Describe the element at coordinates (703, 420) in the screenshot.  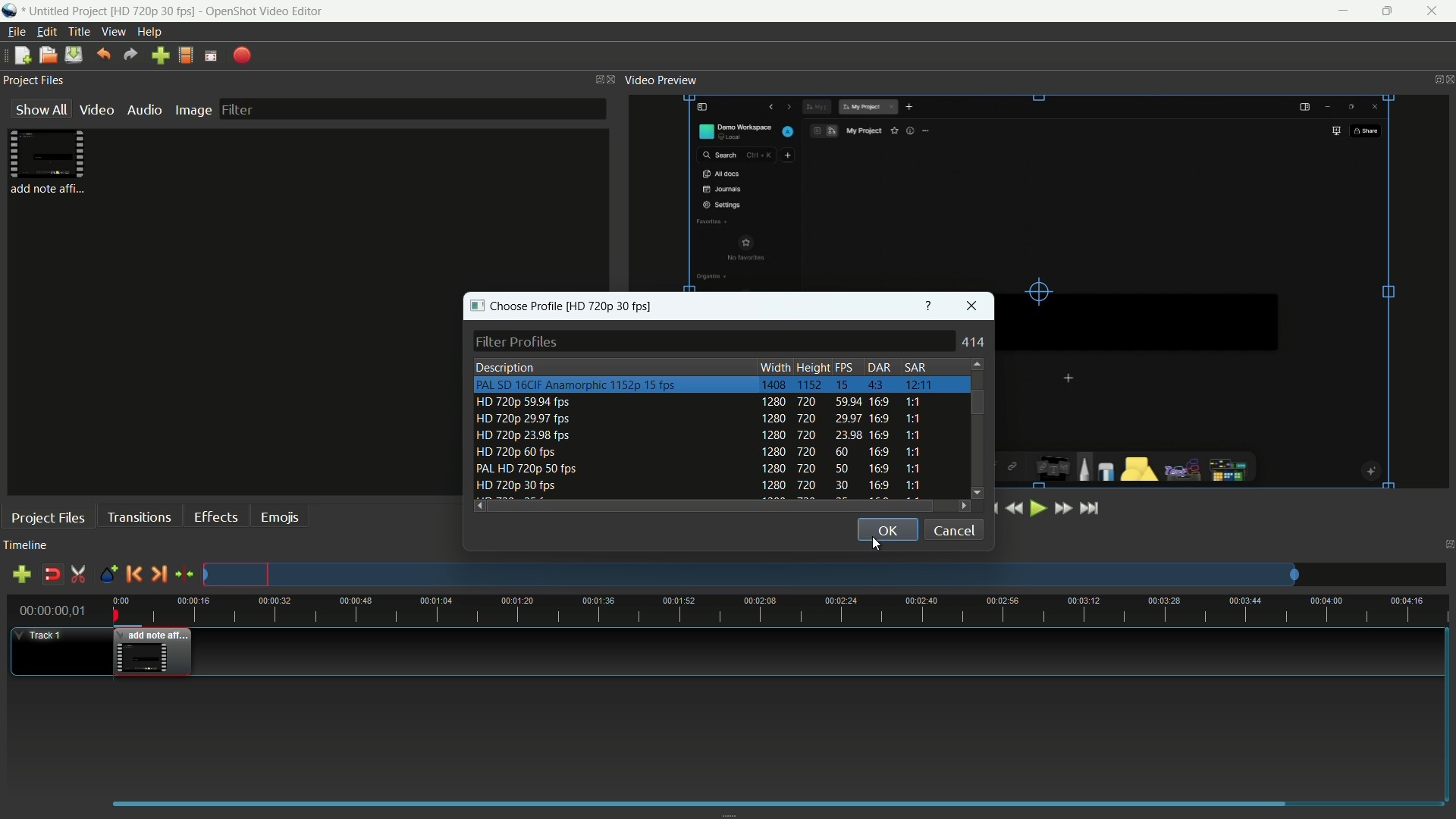
I see `profile-3` at that location.